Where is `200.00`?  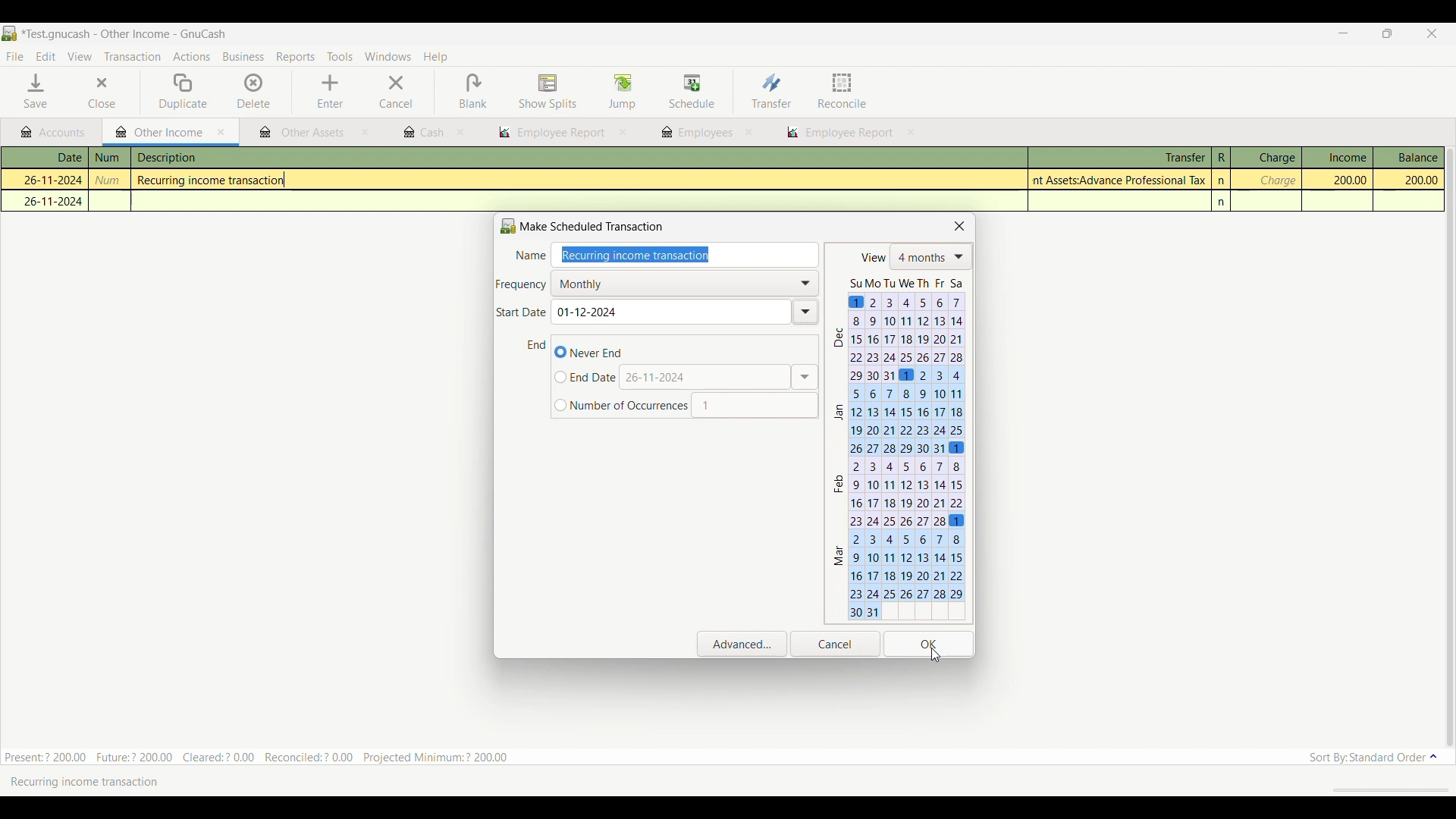
200.00 is located at coordinates (1409, 180).